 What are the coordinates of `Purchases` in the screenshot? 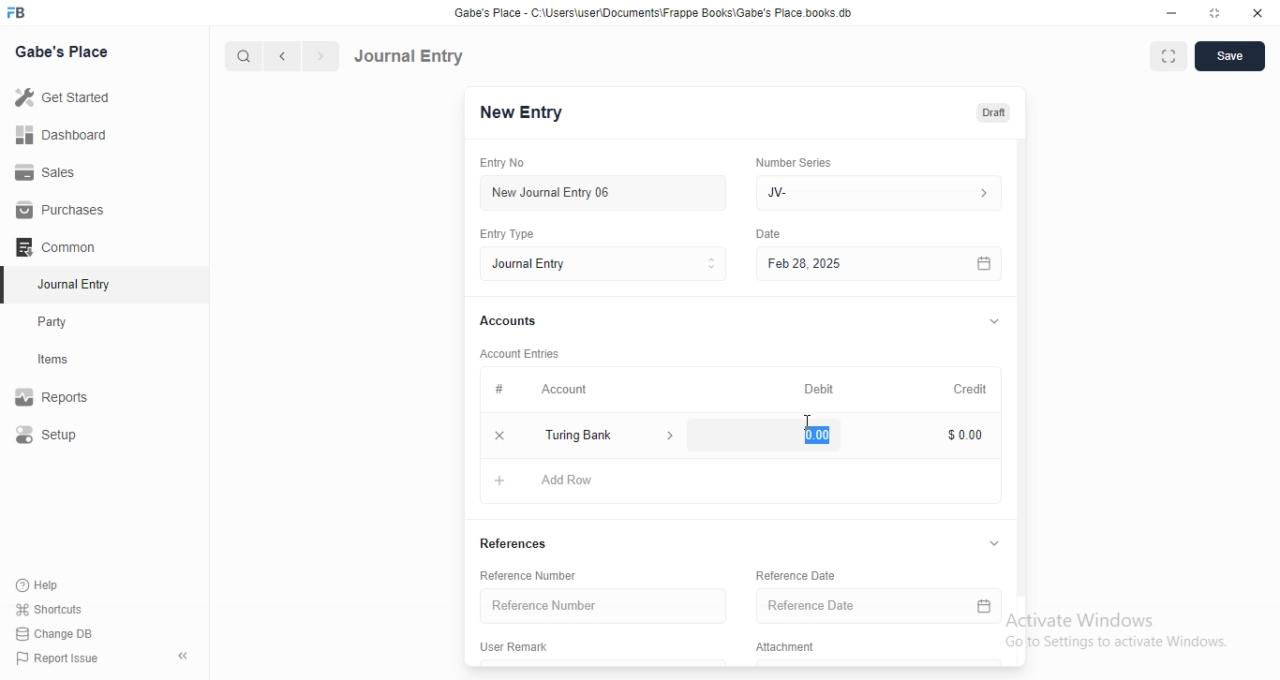 It's located at (63, 210).